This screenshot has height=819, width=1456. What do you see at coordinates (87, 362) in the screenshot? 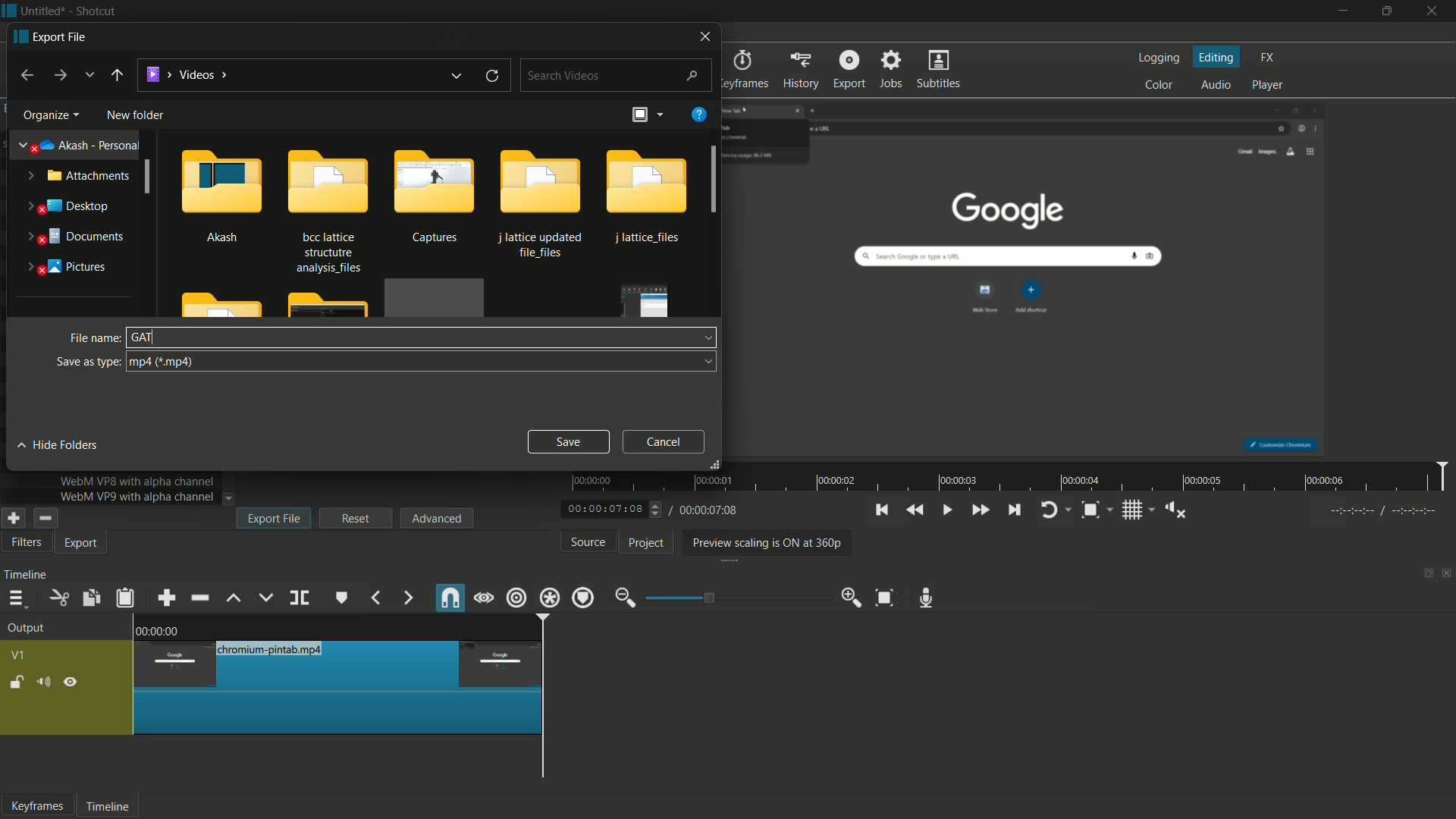
I see `save as type` at bounding box center [87, 362].